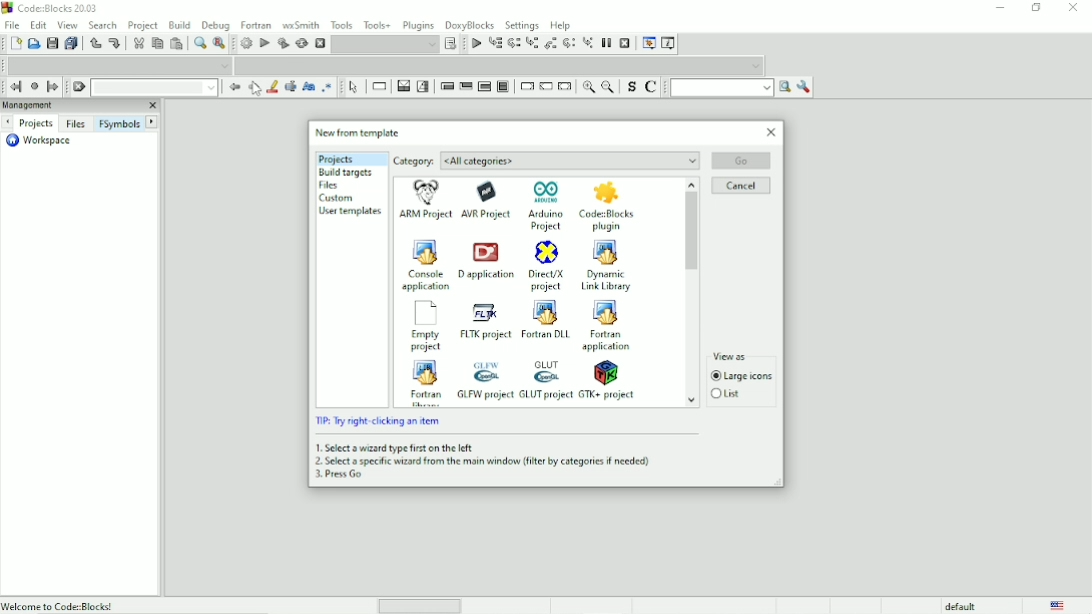 This screenshot has height=614, width=1092. Describe the element at coordinates (423, 86) in the screenshot. I see `Selection` at that location.